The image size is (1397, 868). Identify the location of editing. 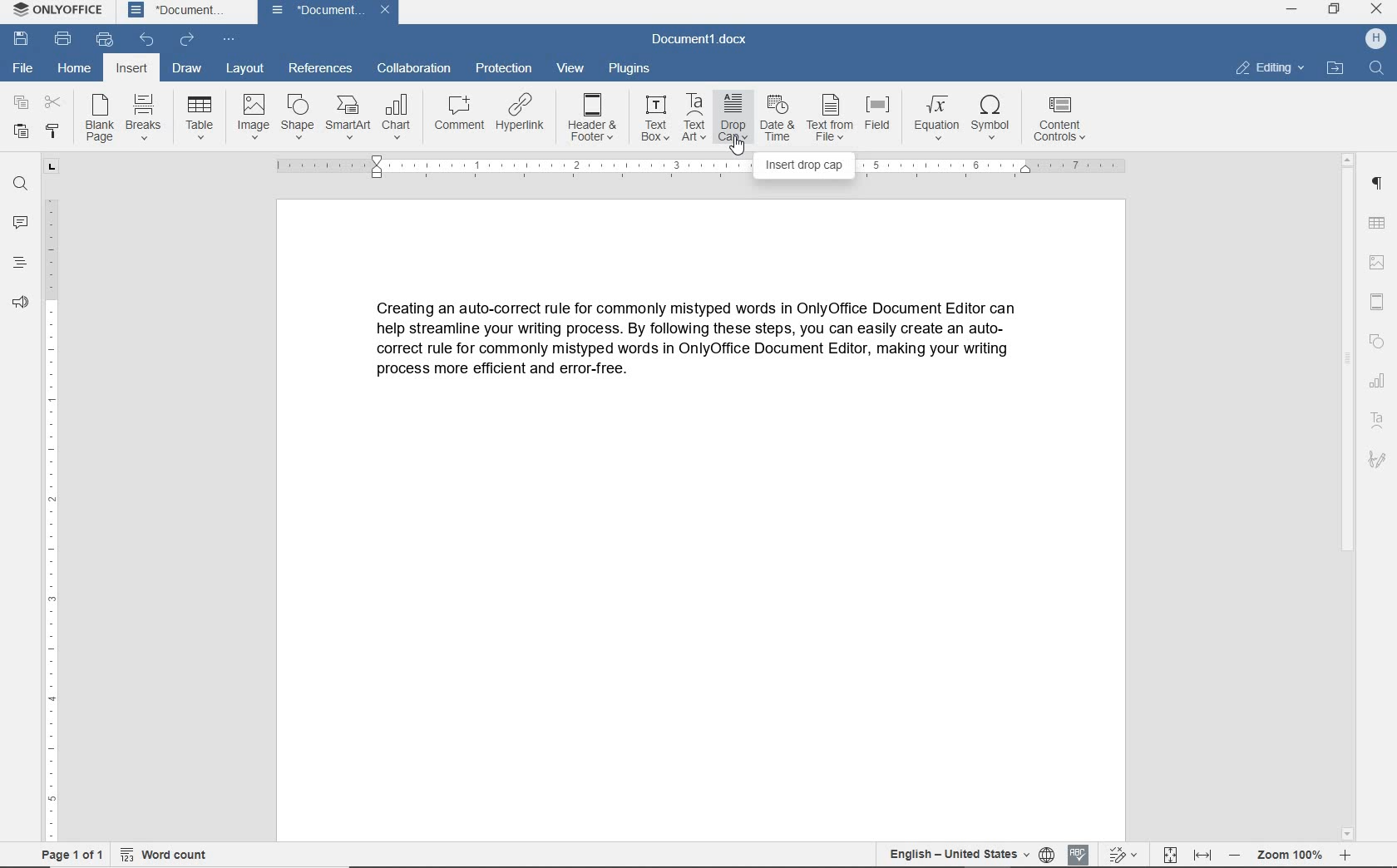
(1269, 68).